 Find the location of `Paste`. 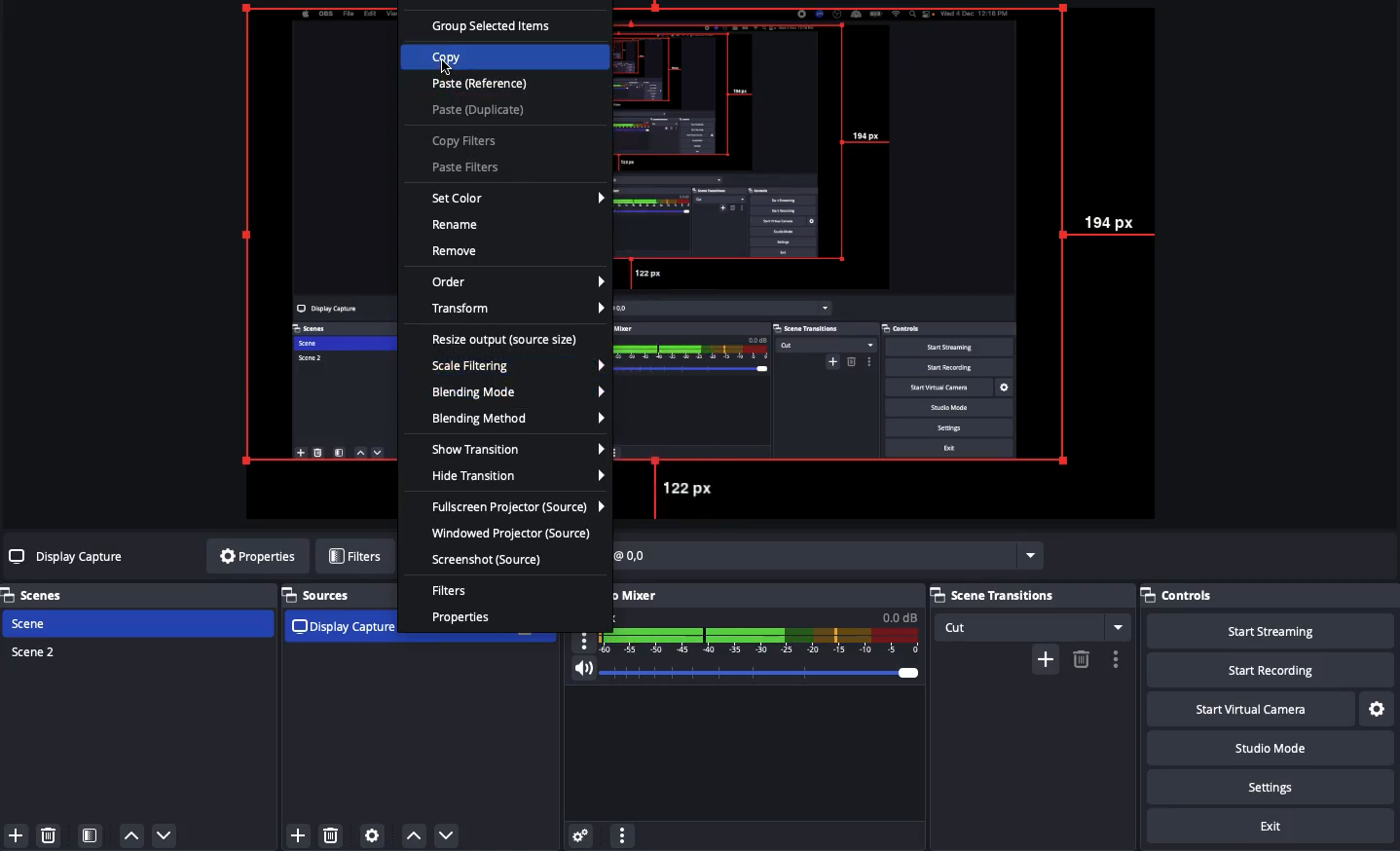

Paste is located at coordinates (484, 99).